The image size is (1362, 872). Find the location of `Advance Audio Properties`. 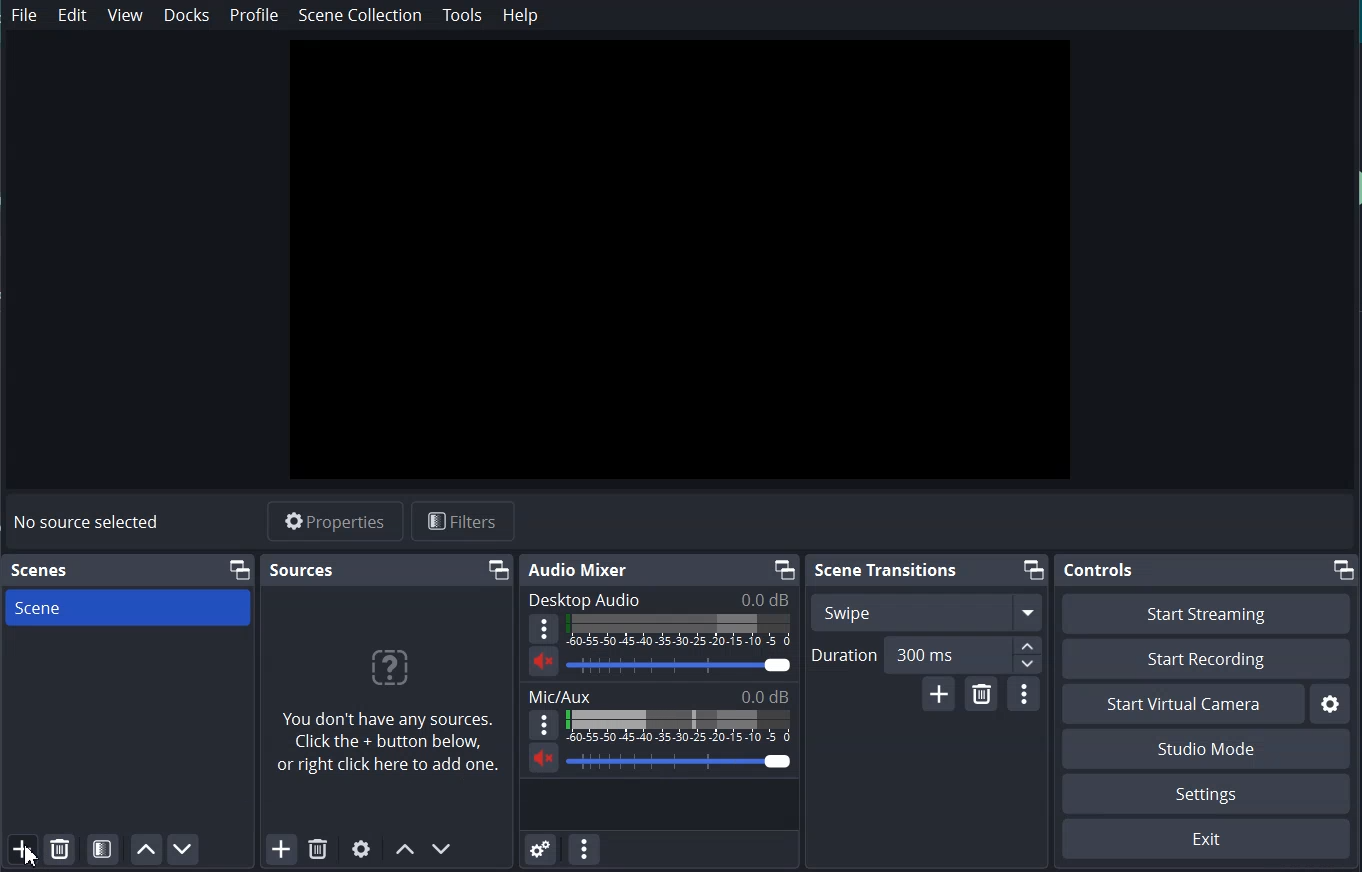

Advance Audio Properties is located at coordinates (541, 847).